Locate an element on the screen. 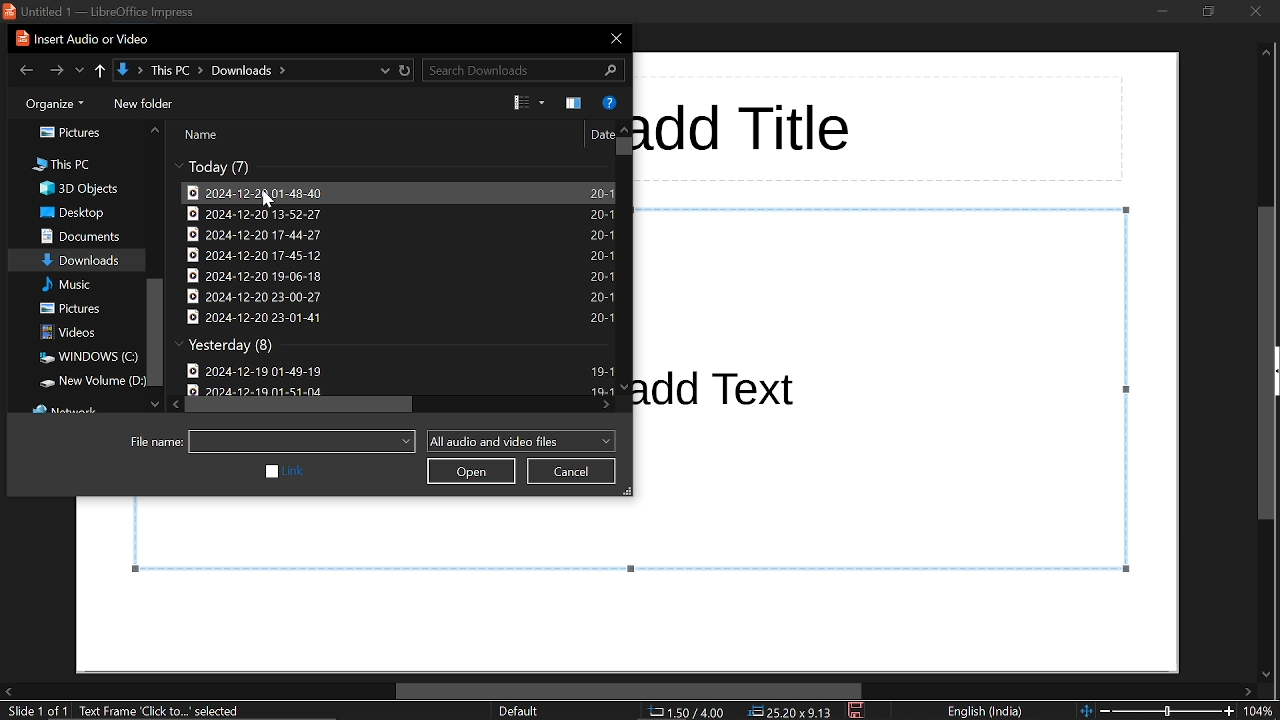 This screenshot has height=720, width=1280. file titled "2024-12-20 23-00-27" is located at coordinates (399, 297).